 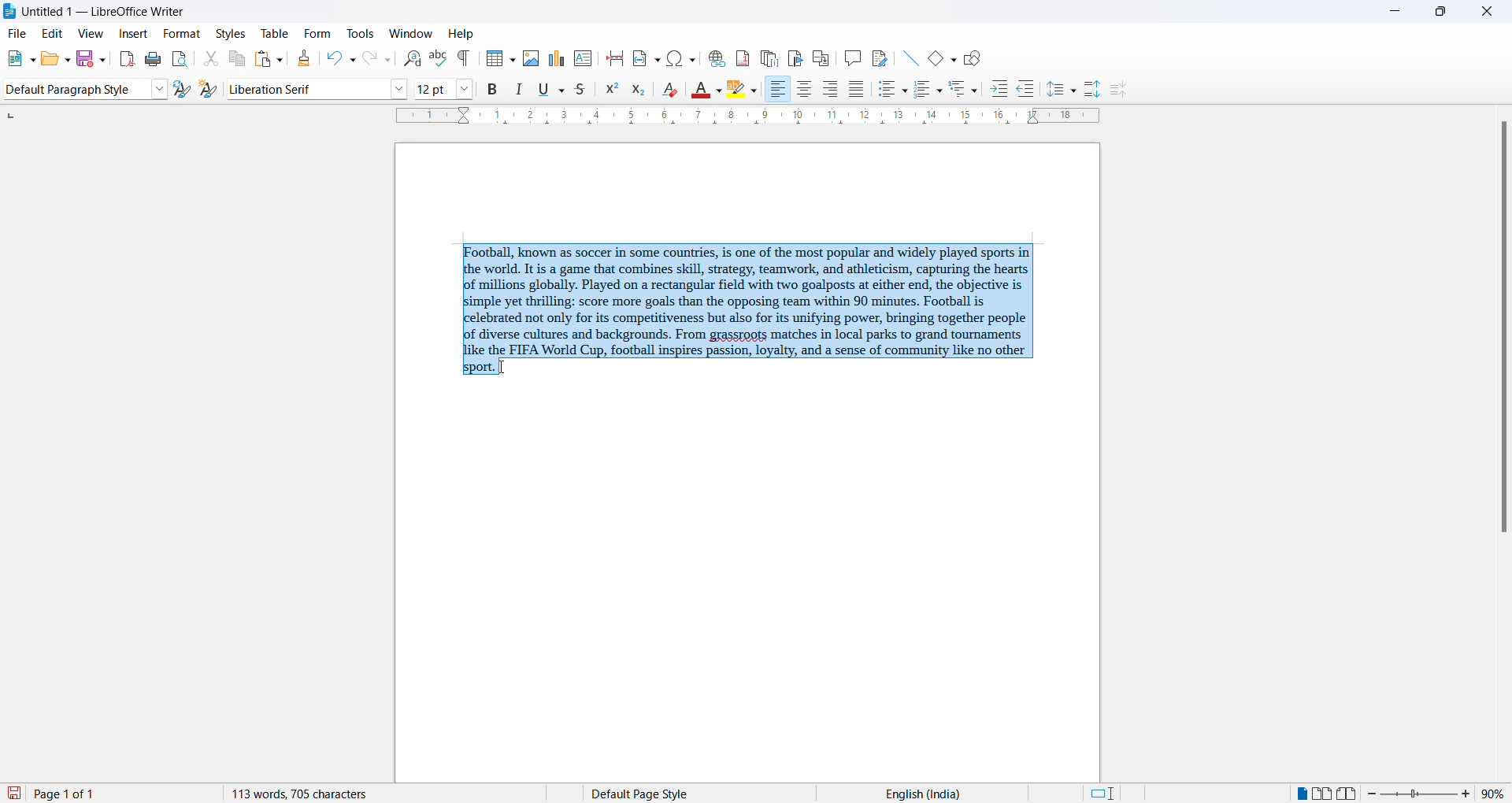 What do you see at coordinates (1028, 88) in the screenshot?
I see `decrease indent ` at bounding box center [1028, 88].